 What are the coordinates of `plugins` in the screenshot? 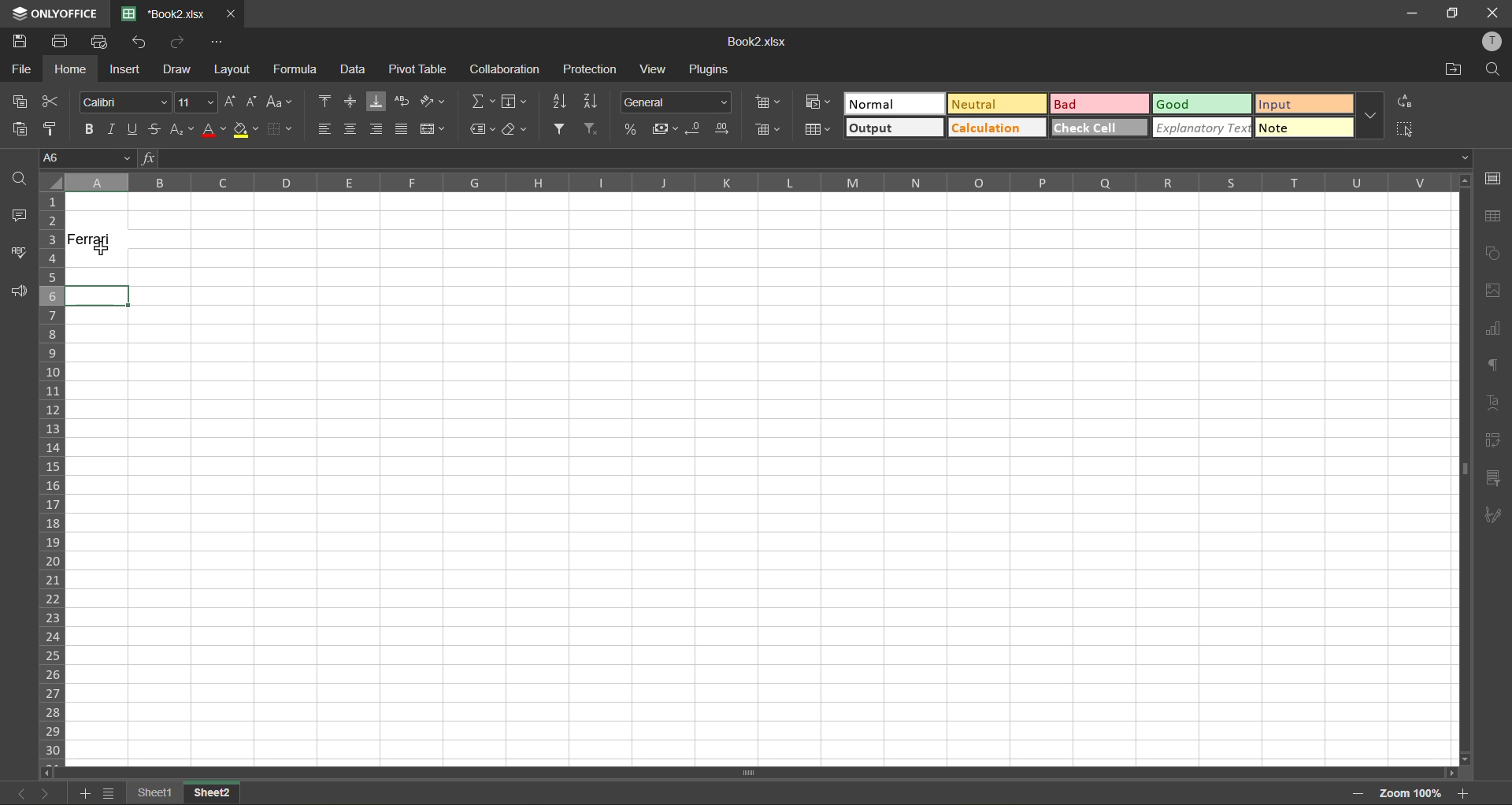 It's located at (709, 69).